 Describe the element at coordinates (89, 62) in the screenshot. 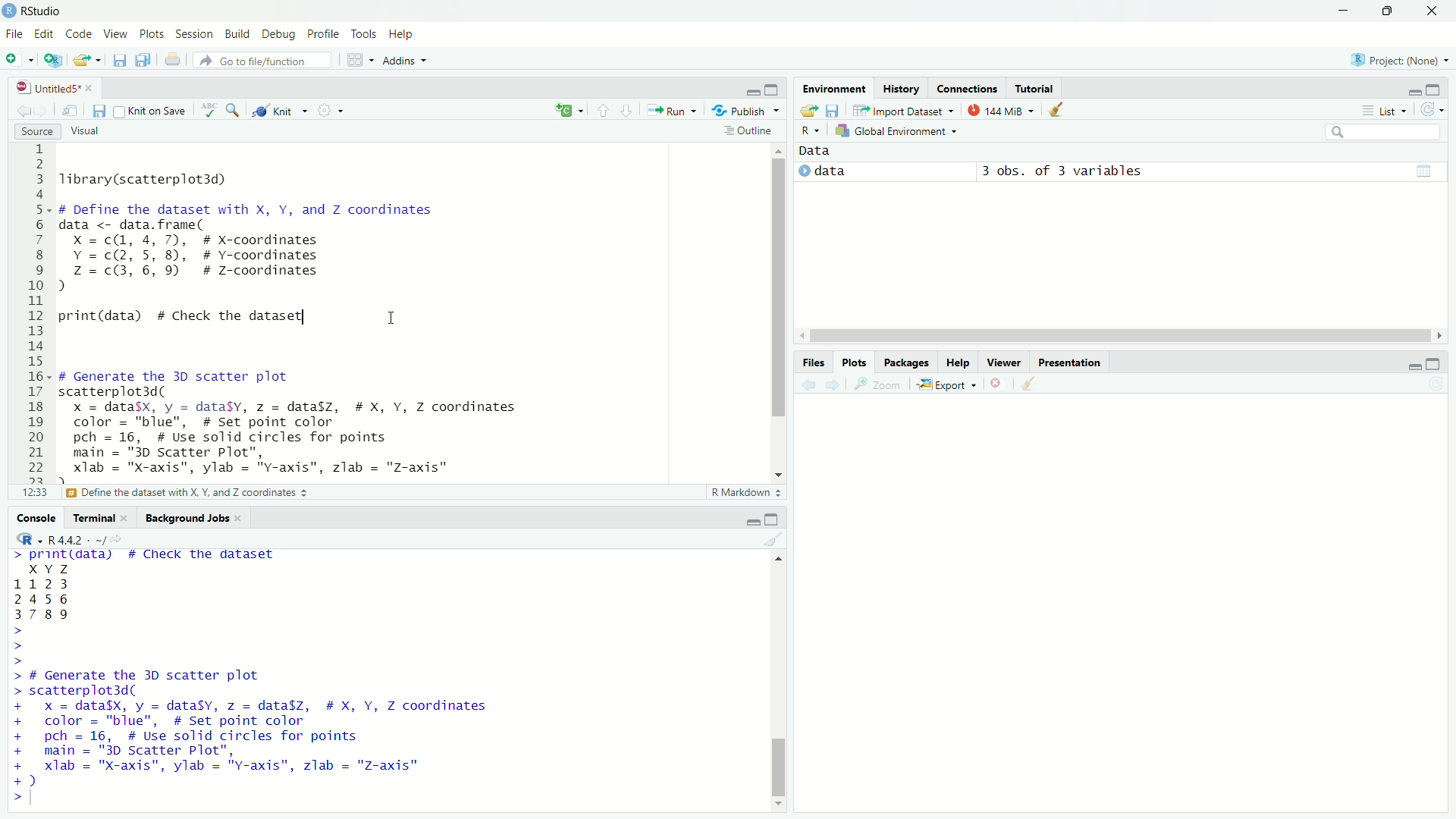

I see `open an existing file` at that location.